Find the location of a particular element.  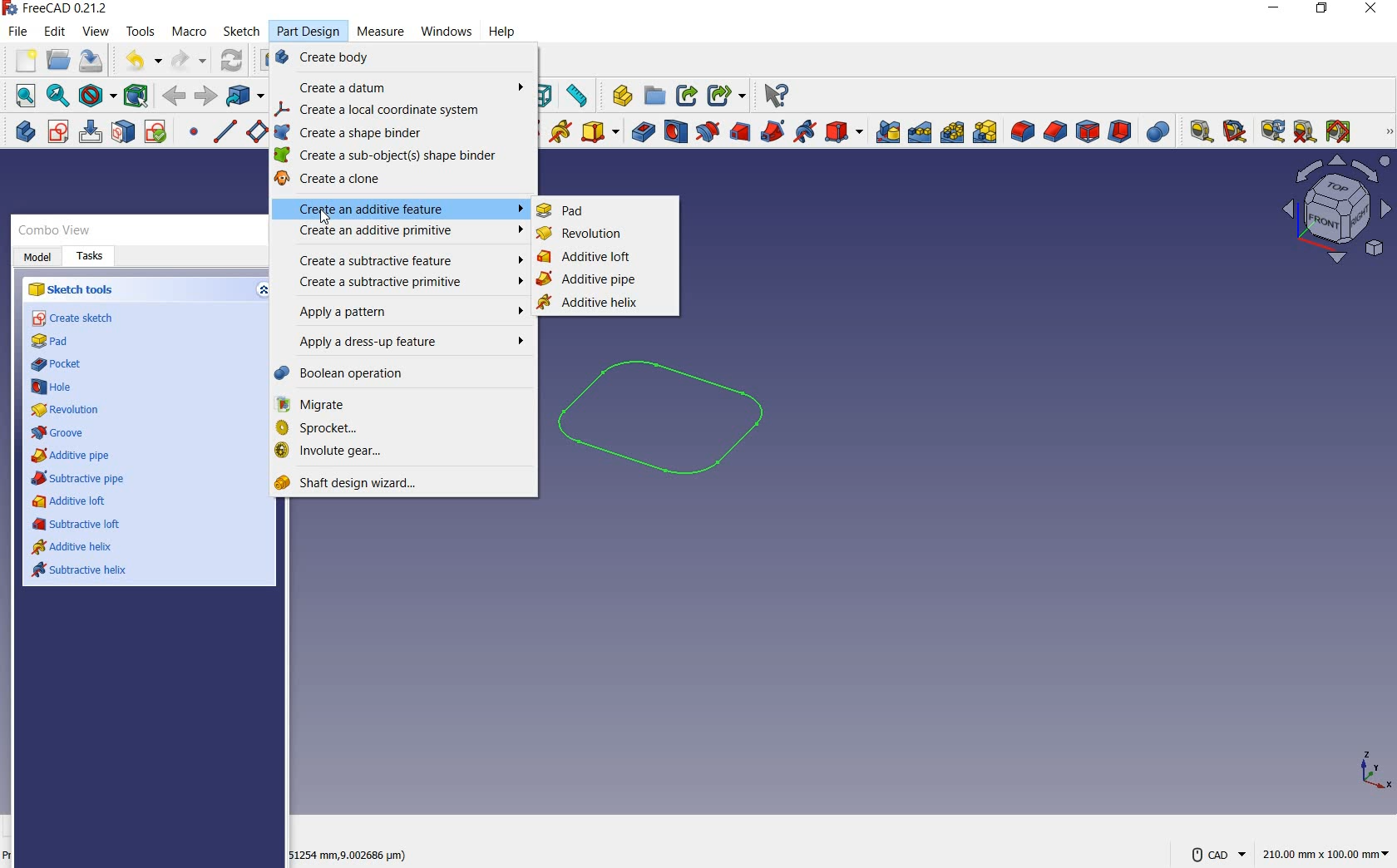

221.93mm x 100.00mm is located at coordinates (1325, 853).